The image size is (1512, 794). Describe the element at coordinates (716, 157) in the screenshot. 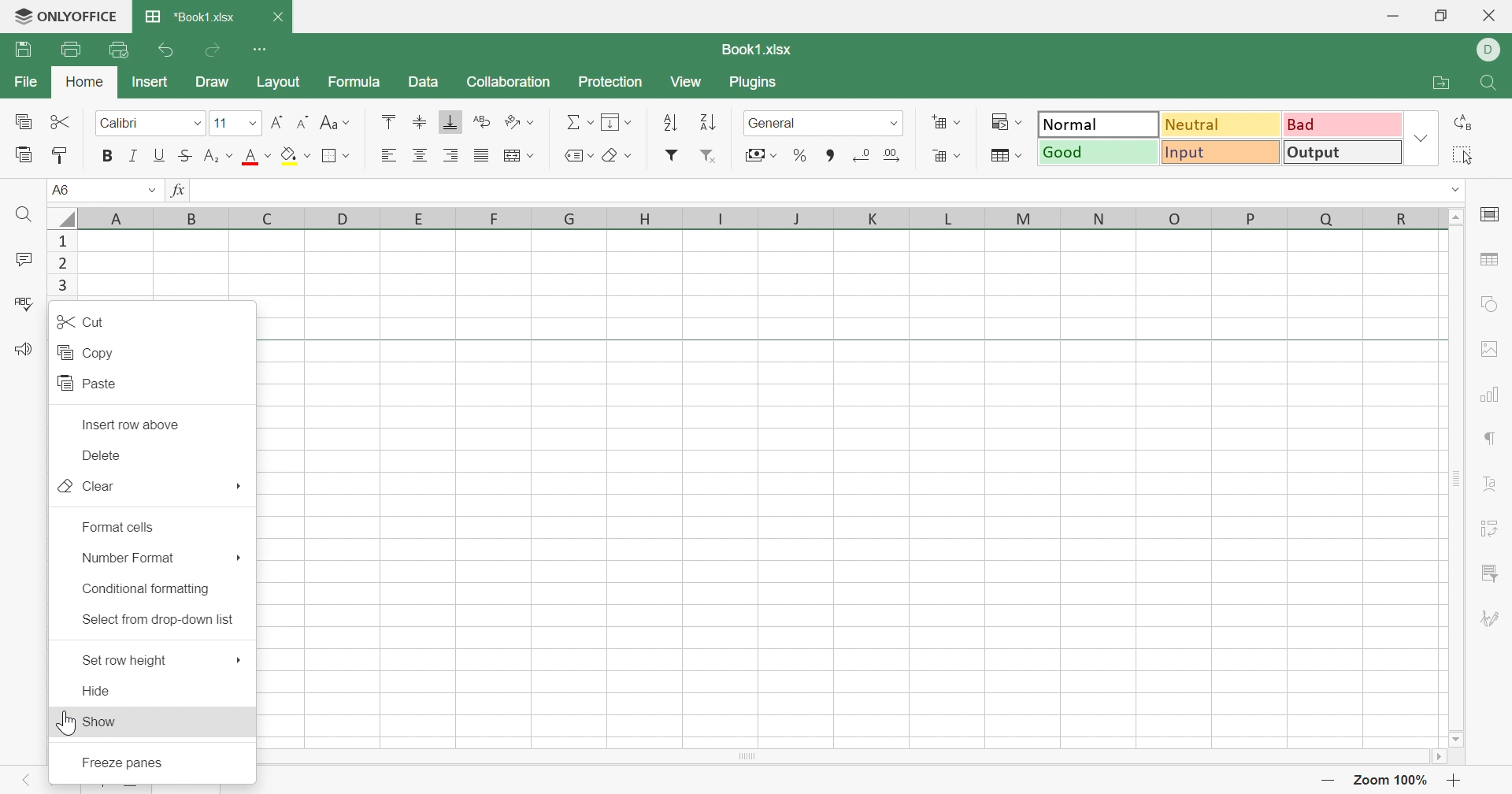

I see `Remove style` at that location.